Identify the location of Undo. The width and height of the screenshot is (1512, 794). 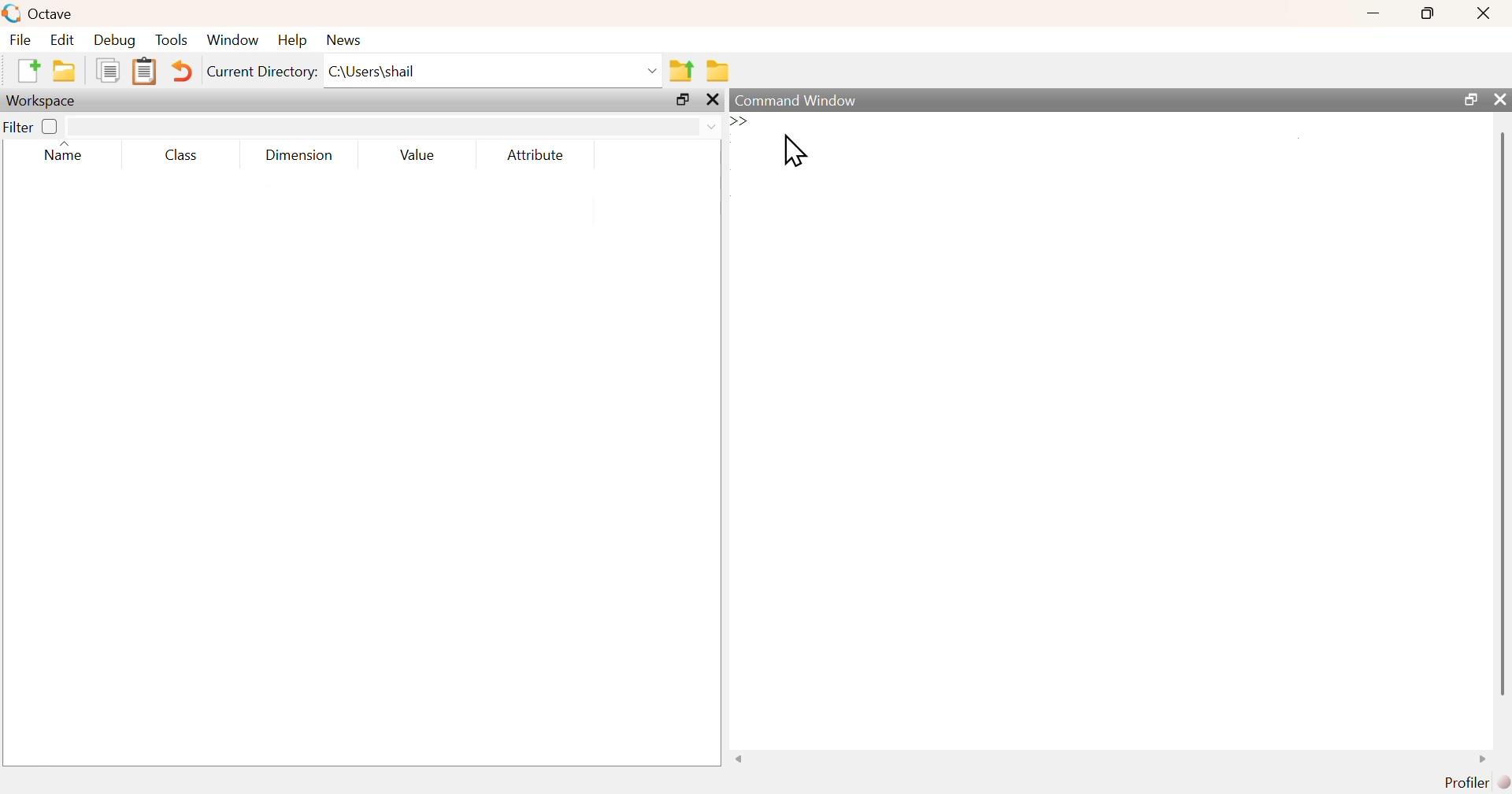
(179, 72).